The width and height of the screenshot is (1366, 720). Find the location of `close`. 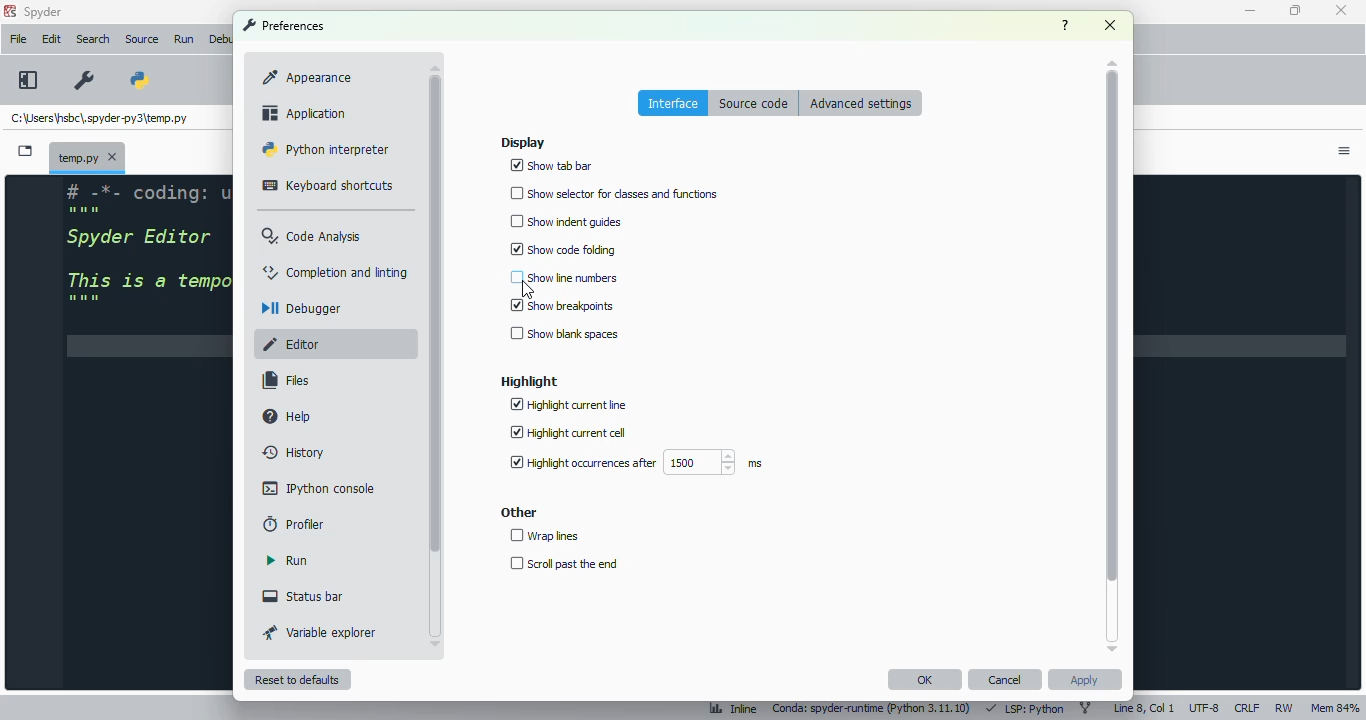

close is located at coordinates (1109, 25).